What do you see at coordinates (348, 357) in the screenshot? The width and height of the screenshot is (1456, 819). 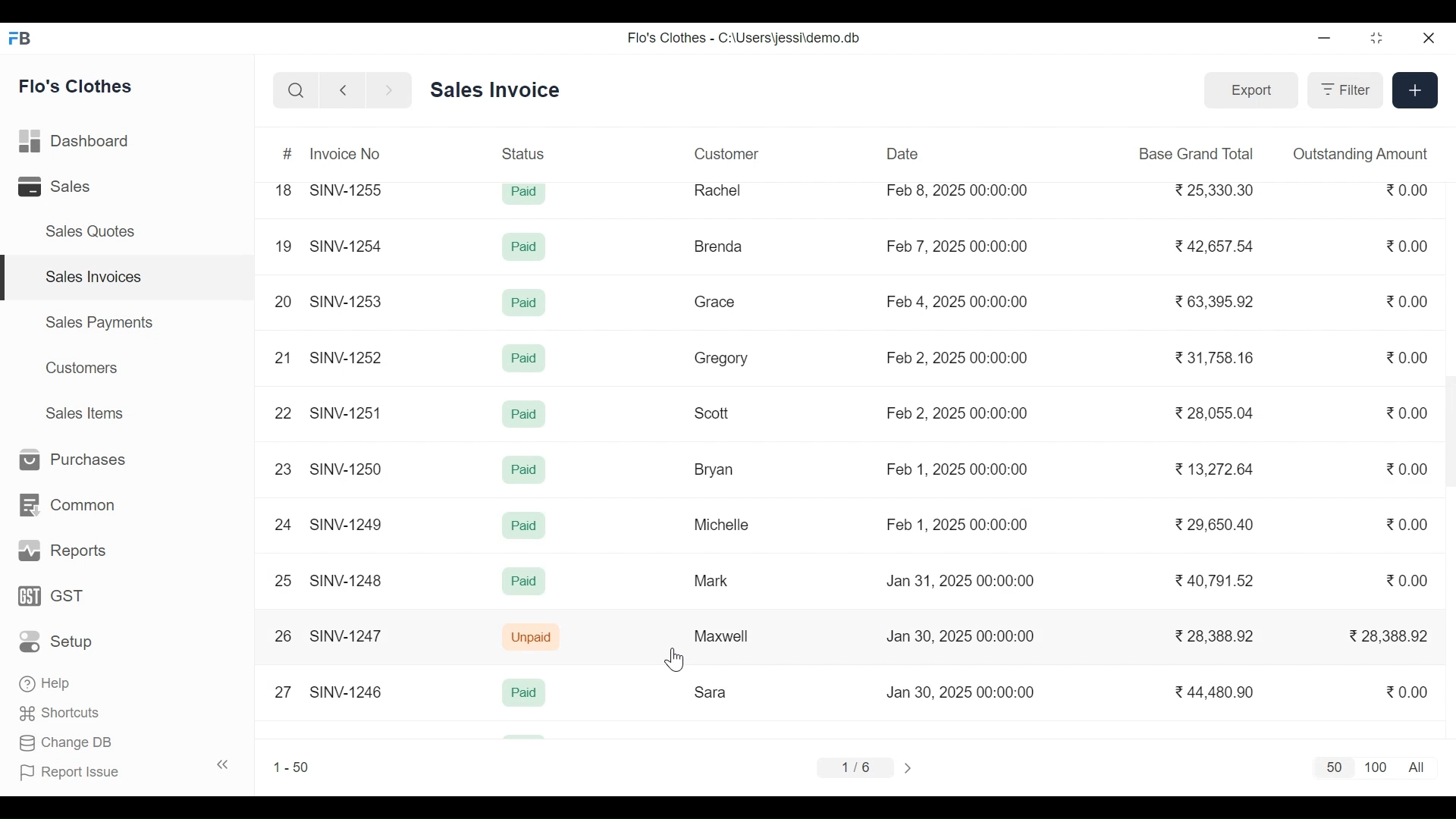 I see `SINV-1252` at bounding box center [348, 357].